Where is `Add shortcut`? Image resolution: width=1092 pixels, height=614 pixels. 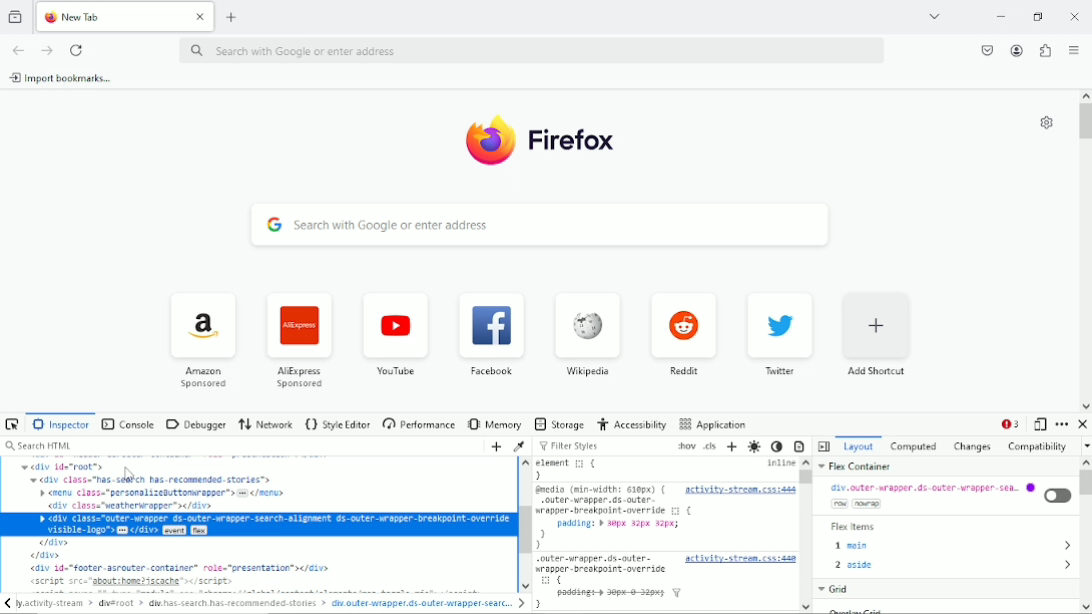
Add shortcut is located at coordinates (878, 334).